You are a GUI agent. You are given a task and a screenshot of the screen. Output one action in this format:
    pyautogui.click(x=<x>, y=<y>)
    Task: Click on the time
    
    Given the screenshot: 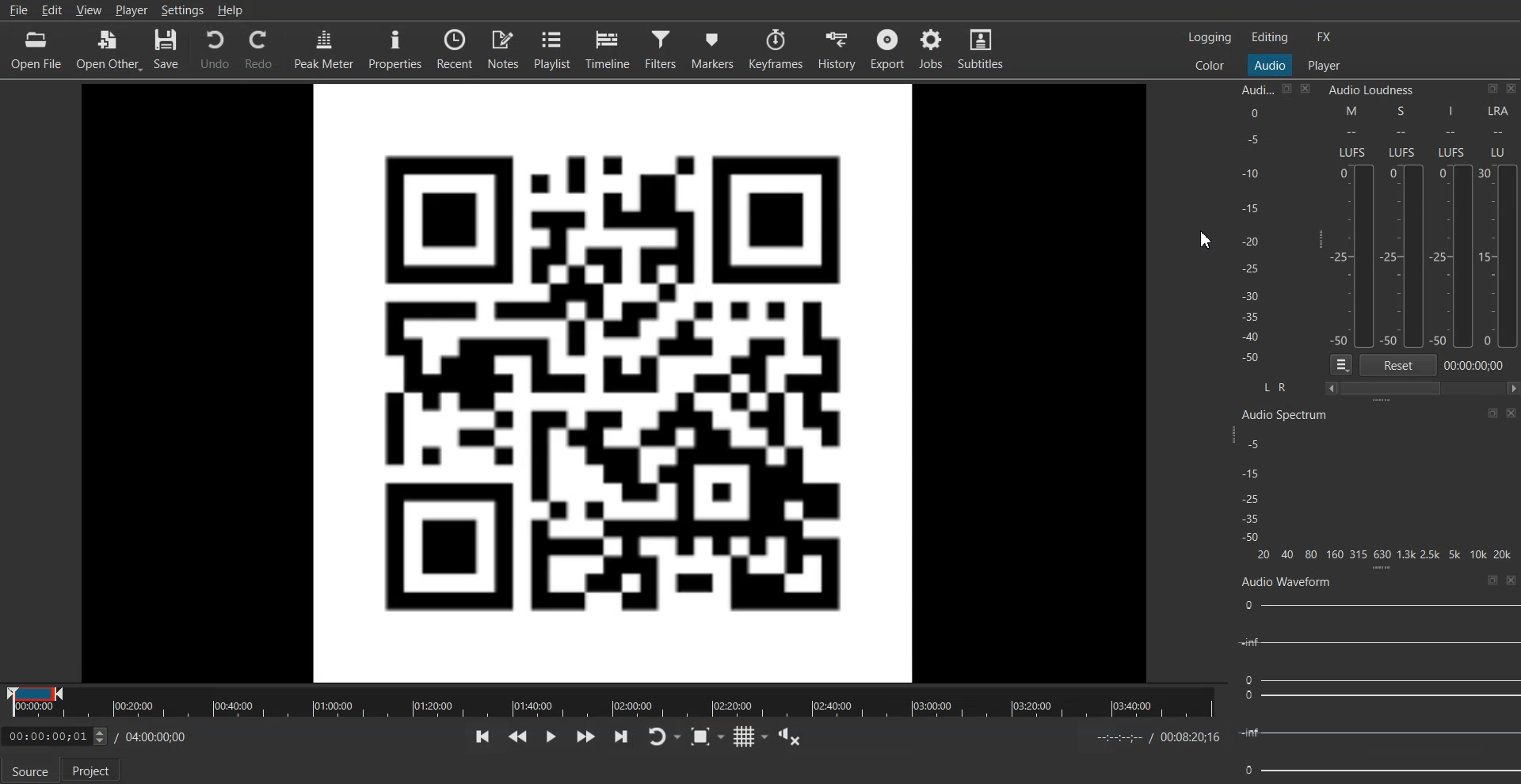 What is the action you would take?
    pyautogui.click(x=1479, y=366)
    